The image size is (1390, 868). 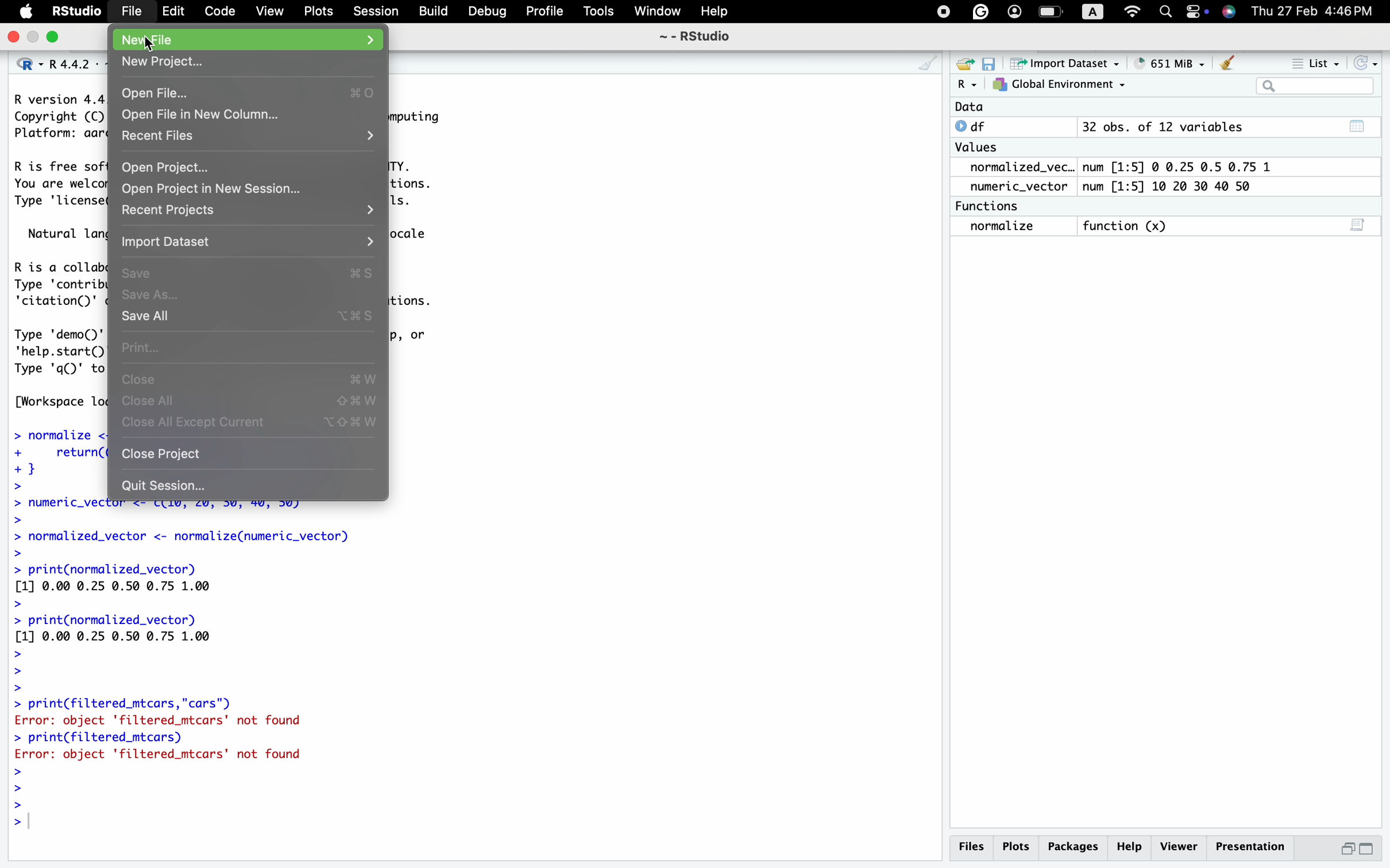 I want to click on Thu 27 Feb 4:46PM, so click(x=1313, y=12).